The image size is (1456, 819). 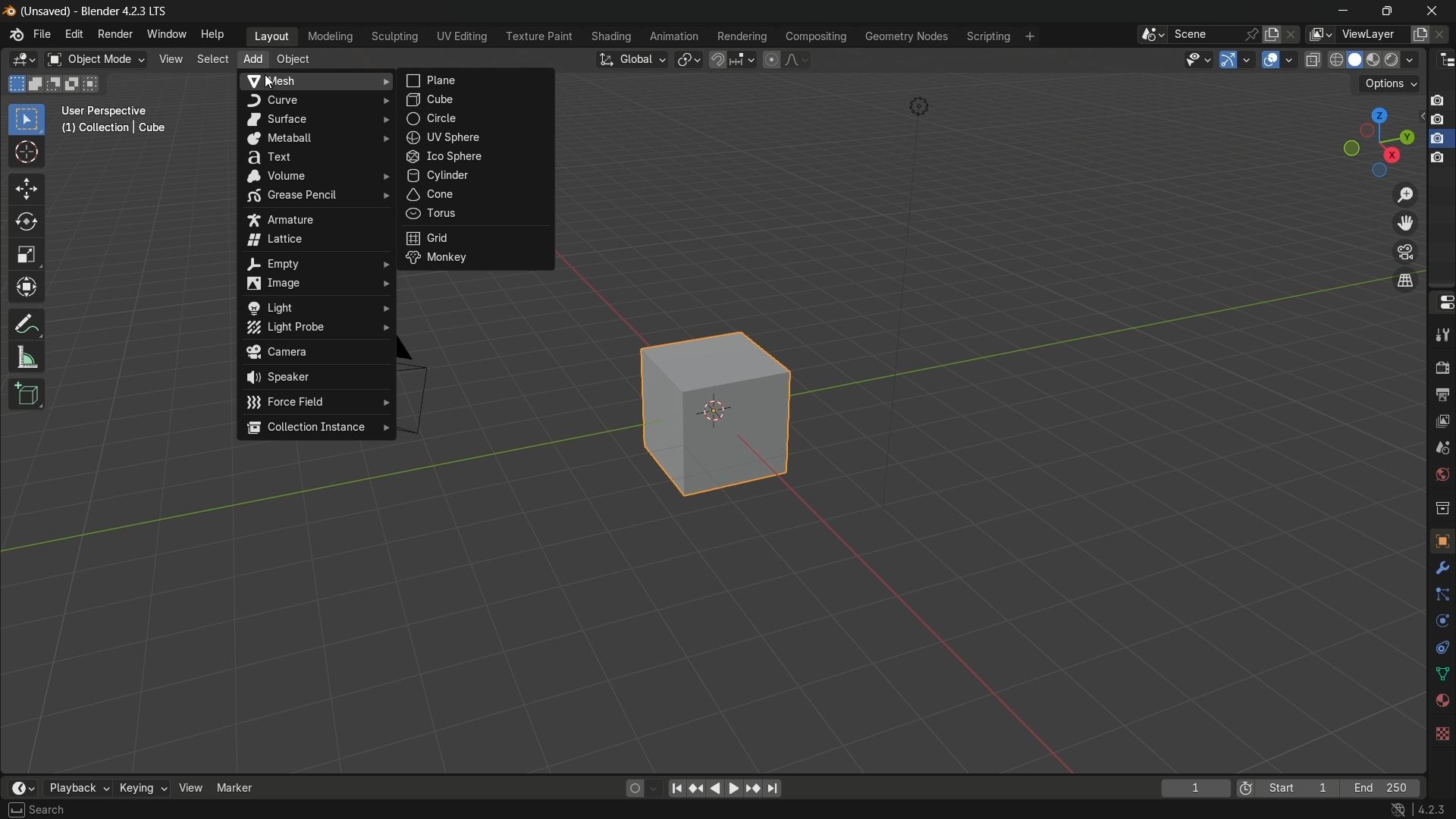 What do you see at coordinates (1302, 789) in the screenshot?
I see `Start 1` at bounding box center [1302, 789].